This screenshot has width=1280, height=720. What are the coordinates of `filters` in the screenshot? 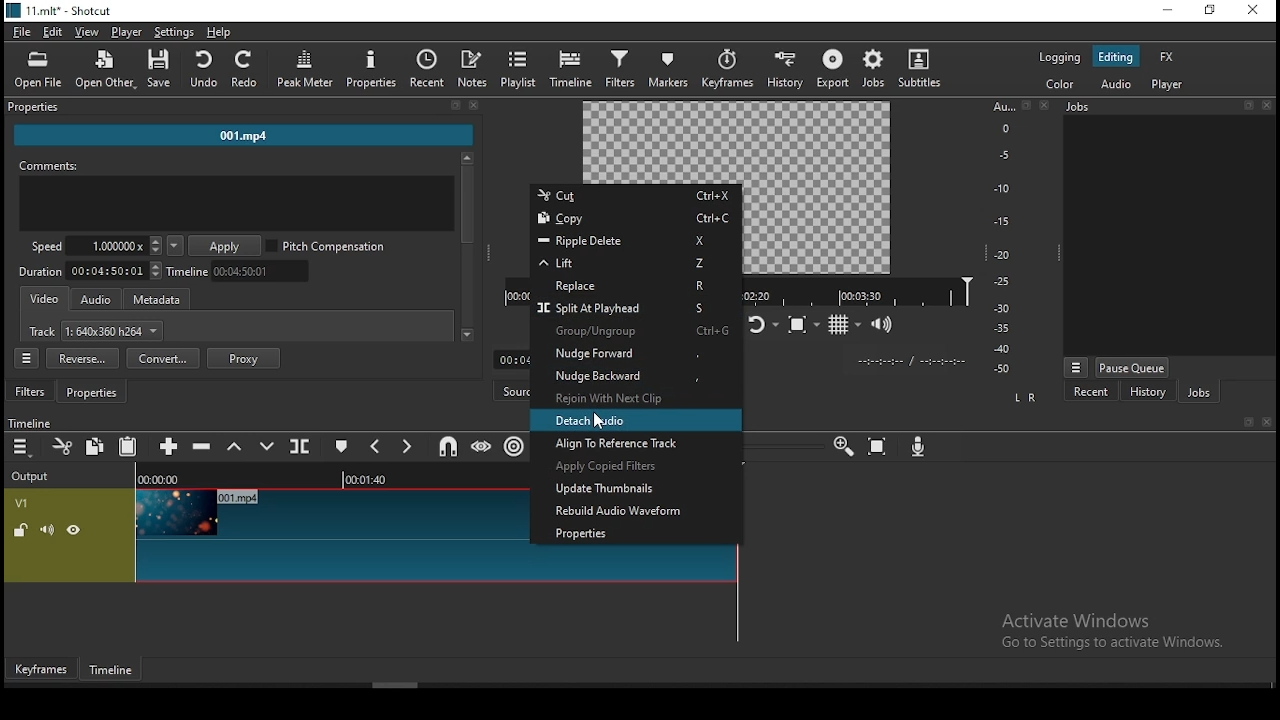 It's located at (31, 392).